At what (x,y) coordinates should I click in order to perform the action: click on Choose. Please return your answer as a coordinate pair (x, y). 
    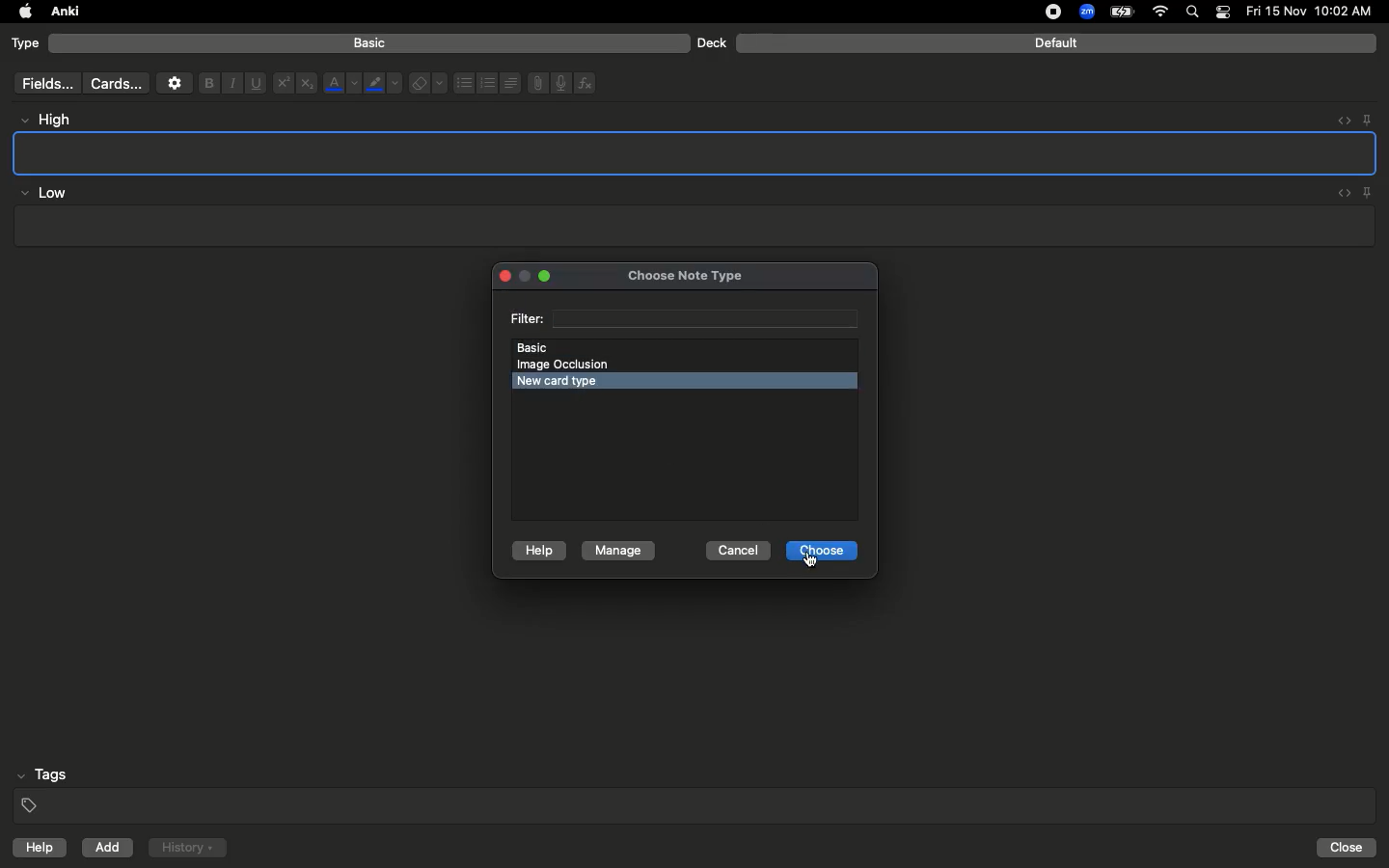
    Looking at the image, I should click on (822, 552).